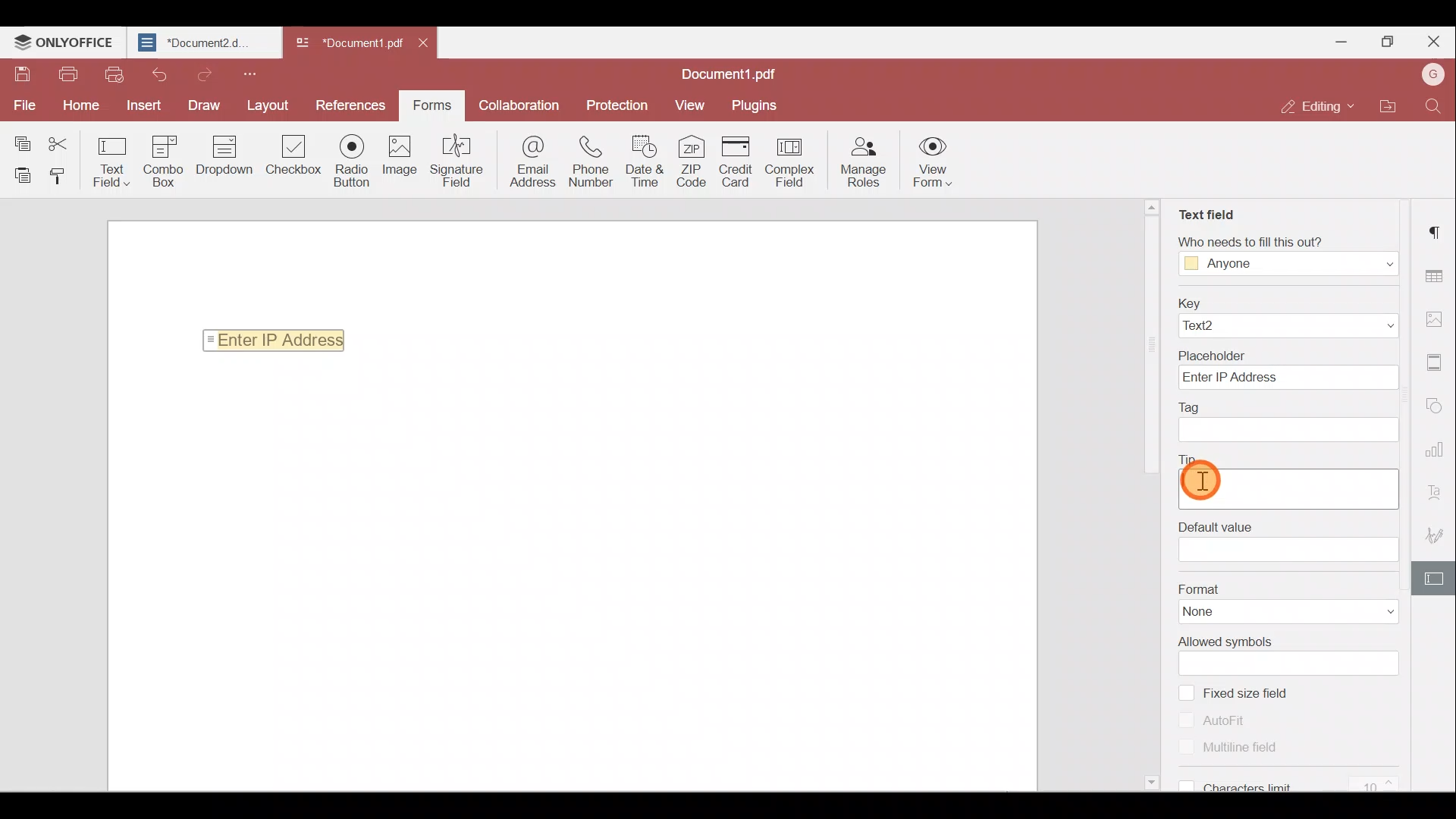 The width and height of the screenshot is (1456, 819). What do you see at coordinates (591, 163) in the screenshot?
I see `Phone number` at bounding box center [591, 163].